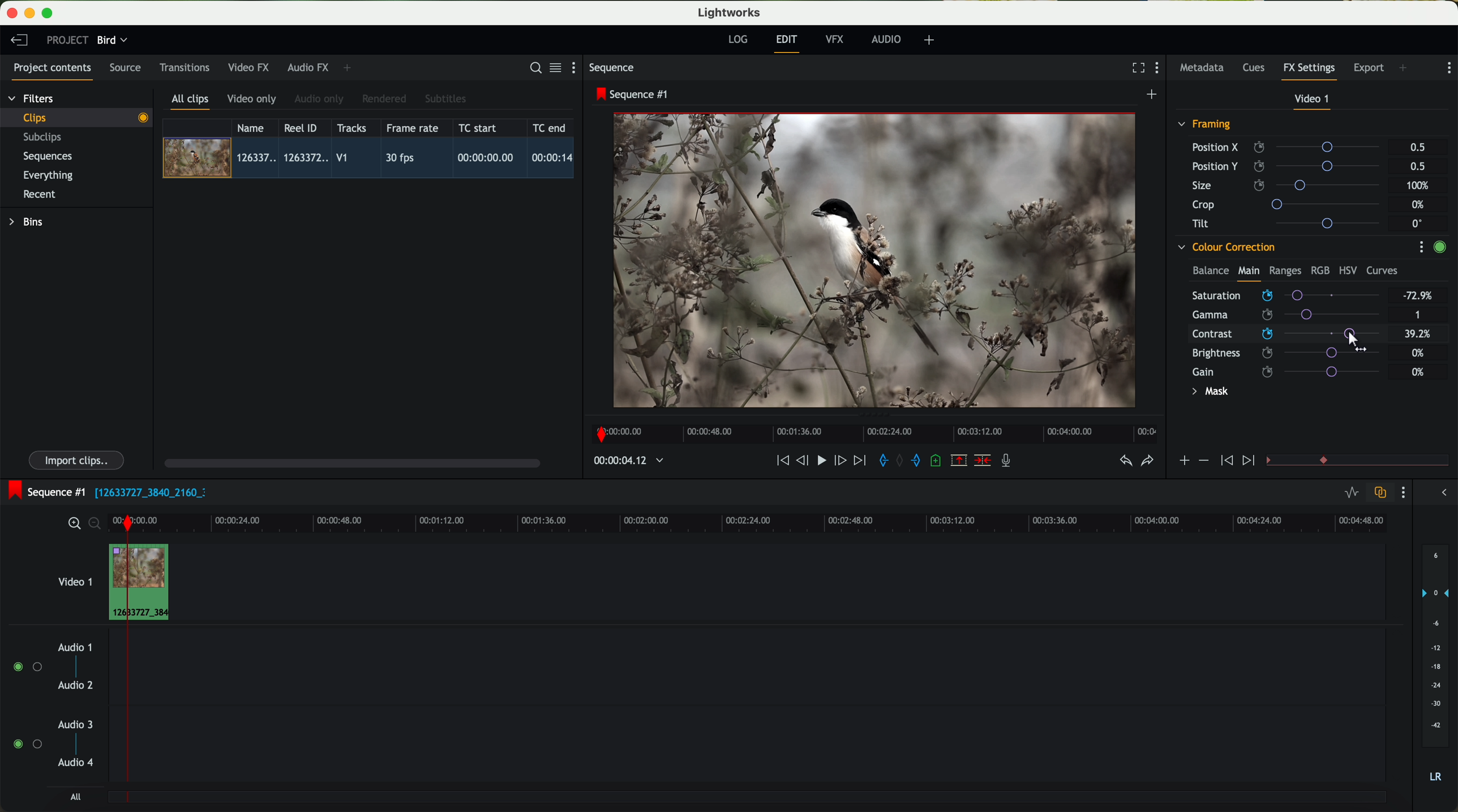  What do you see at coordinates (1439, 248) in the screenshot?
I see `enable` at bounding box center [1439, 248].